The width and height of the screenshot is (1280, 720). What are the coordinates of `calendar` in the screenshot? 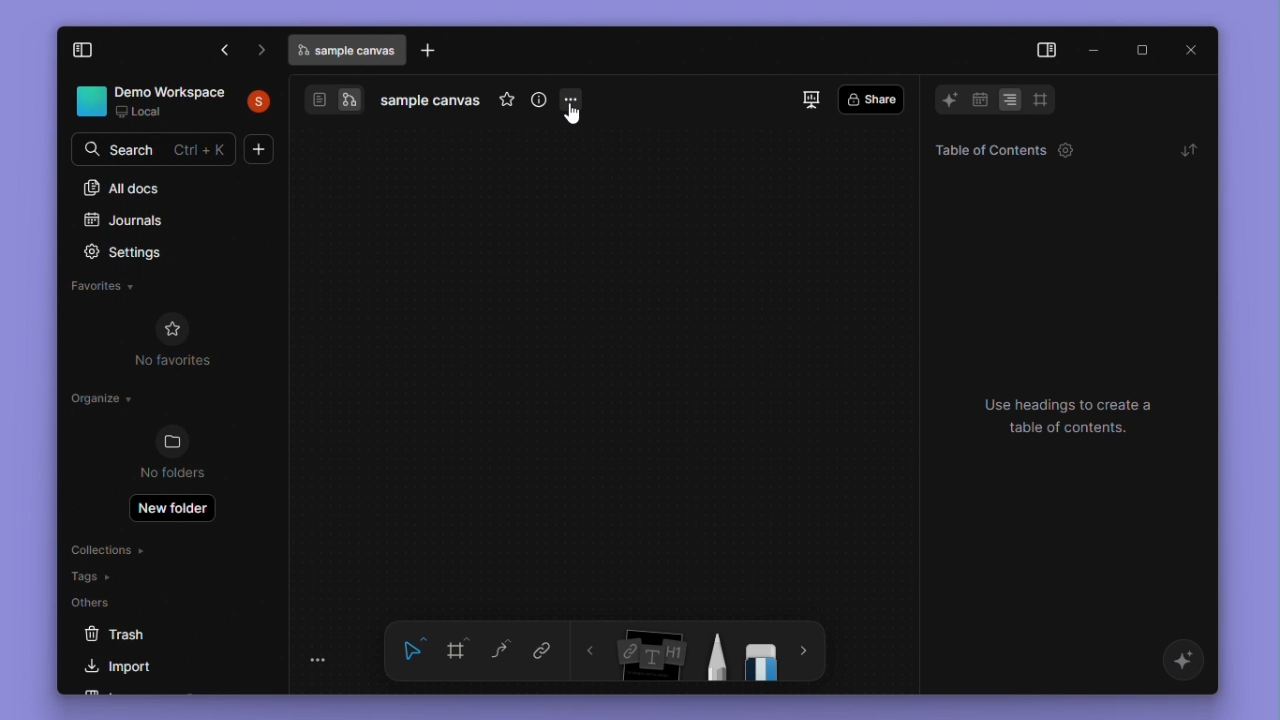 It's located at (979, 102).